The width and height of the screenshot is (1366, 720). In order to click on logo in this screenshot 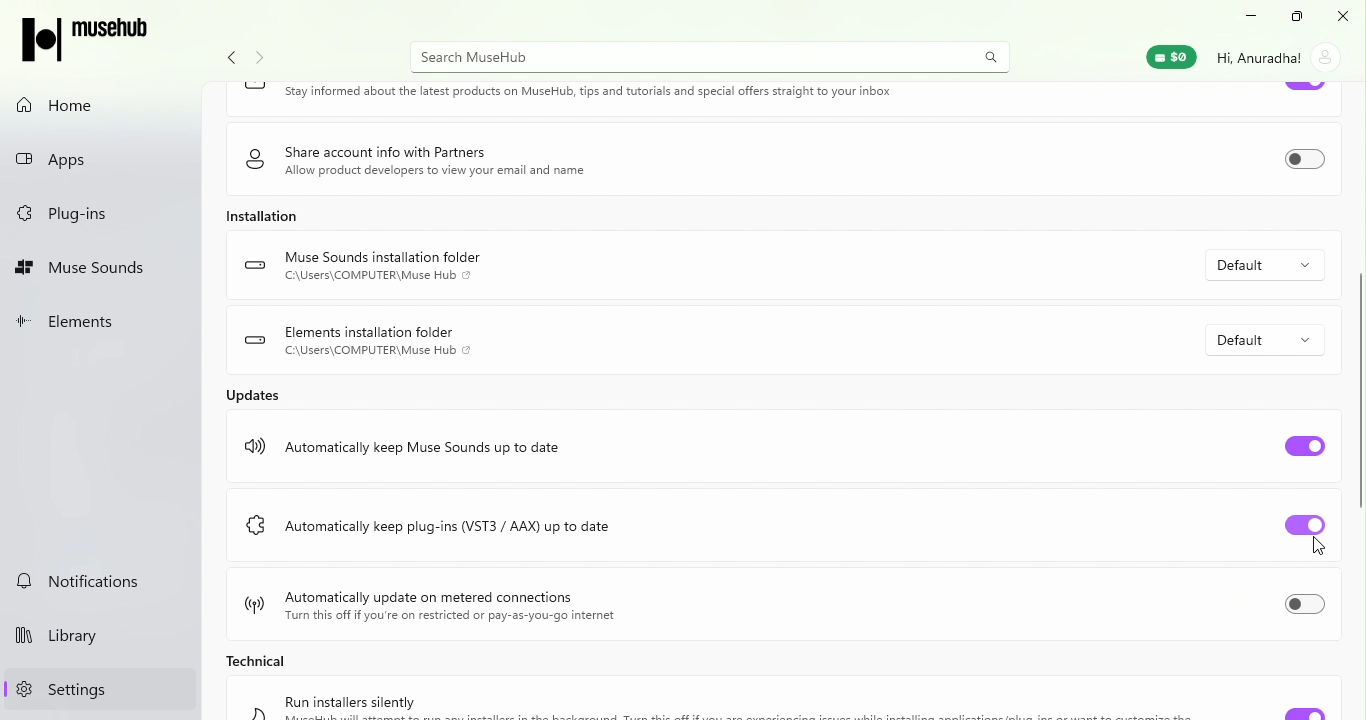, I will do `click(255, 158)`.